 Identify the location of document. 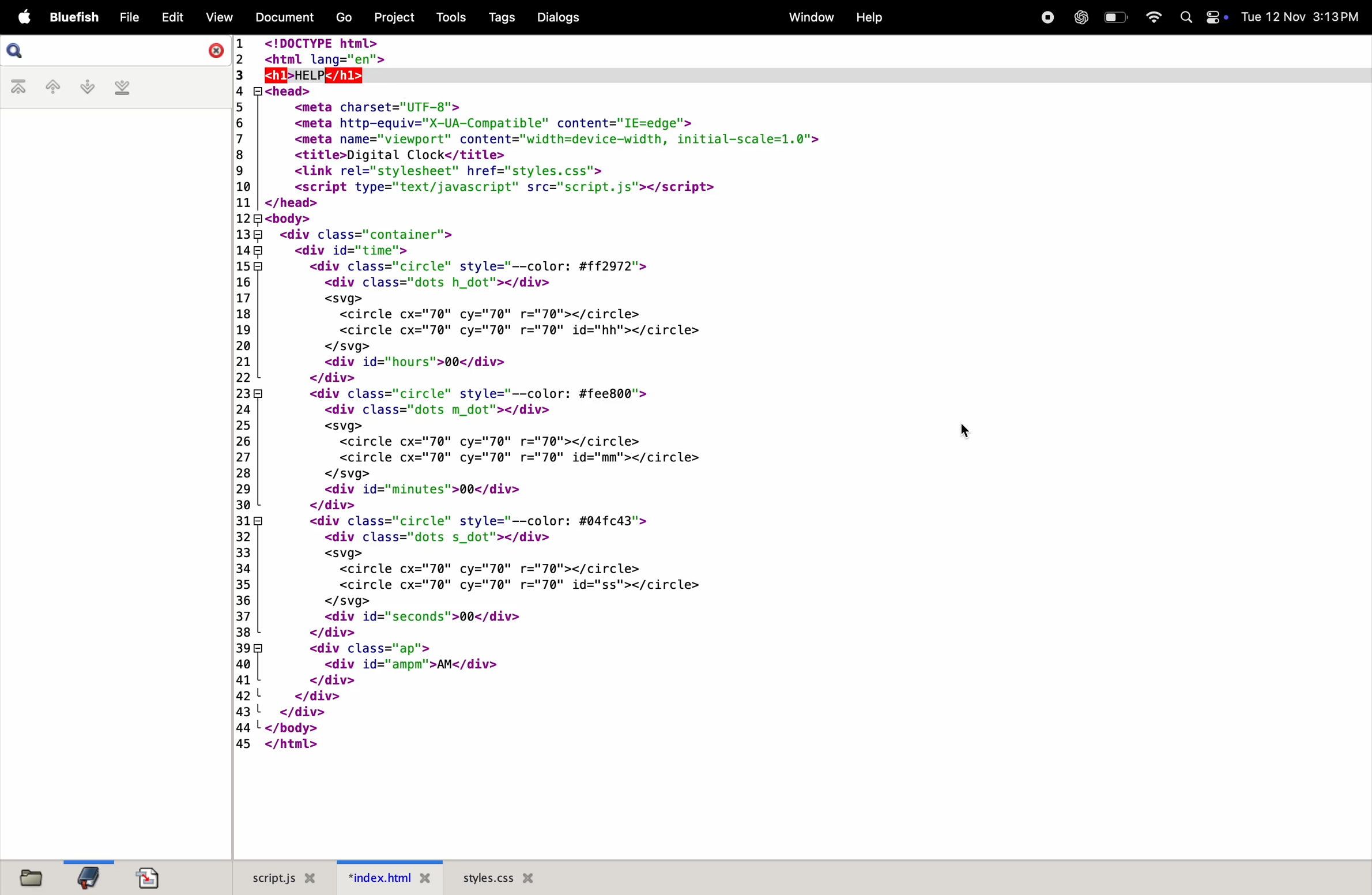
(149, 878).